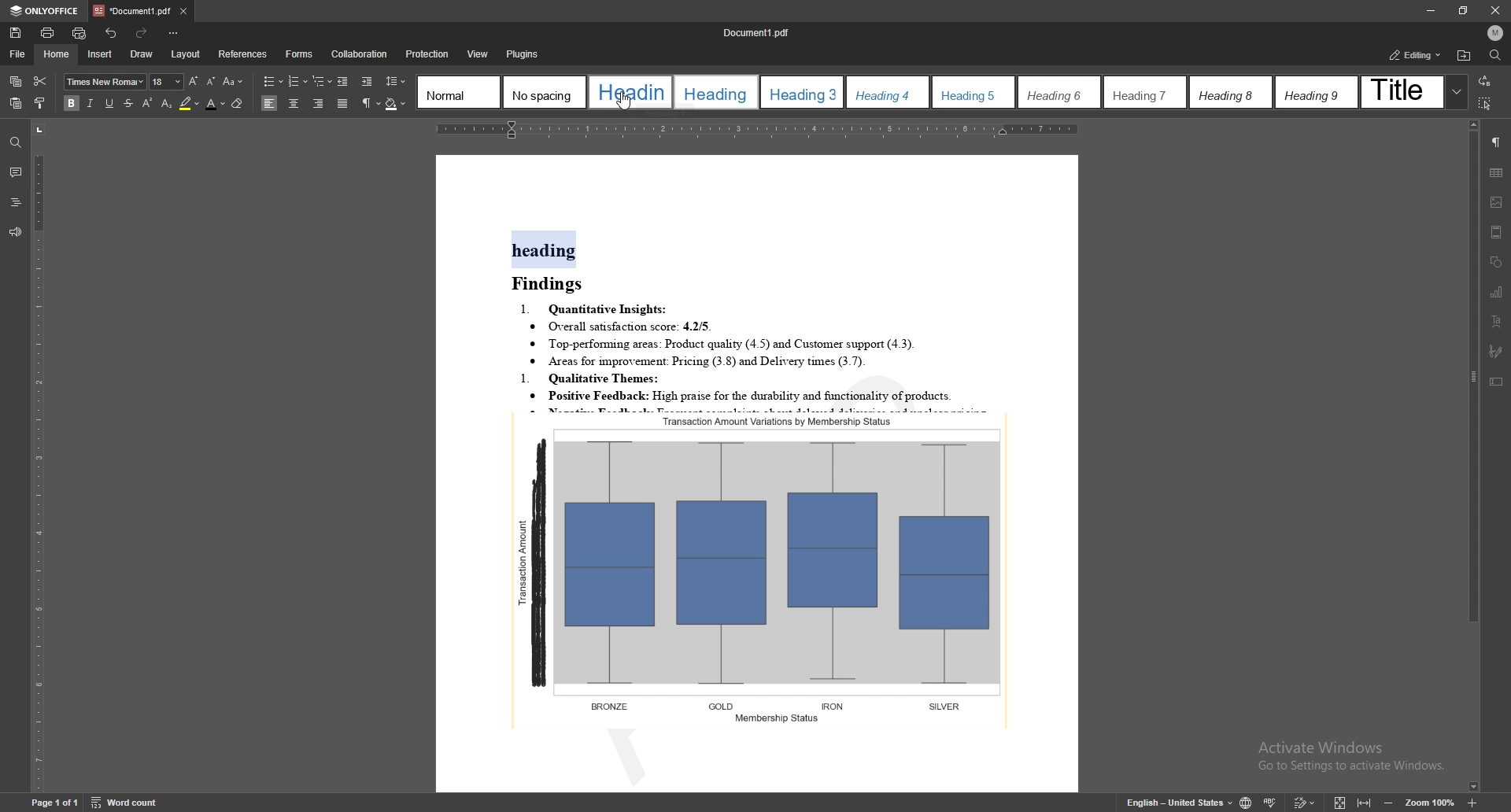  What do you see at coordinates (1497, 11) in the screenshot?
I see `close` at bounding box center [1497, 11].